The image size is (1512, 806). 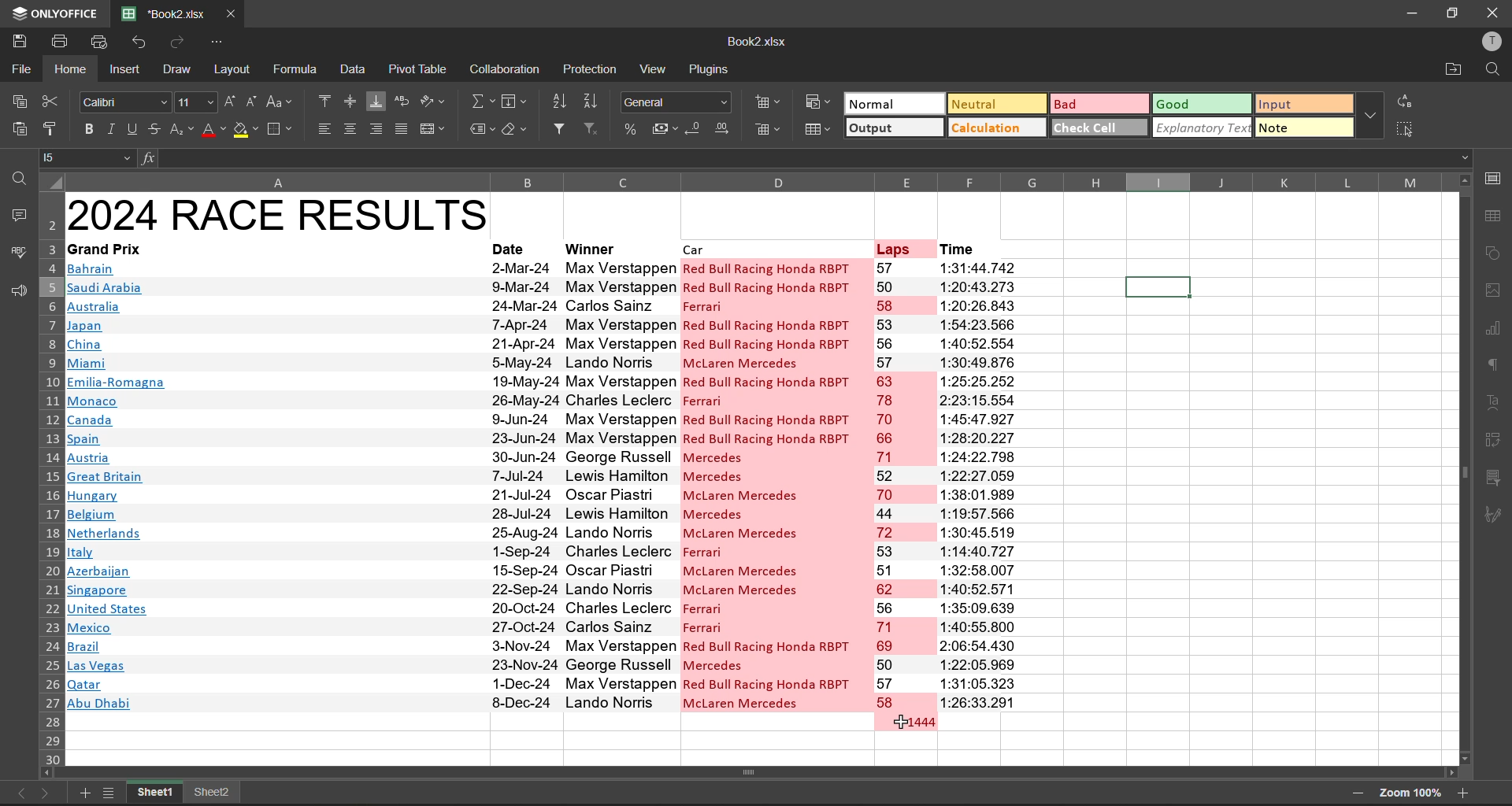 What do you see at coordinates (162, 12) in the screenshot?
I see `filename` at bounding box center [162, 12].